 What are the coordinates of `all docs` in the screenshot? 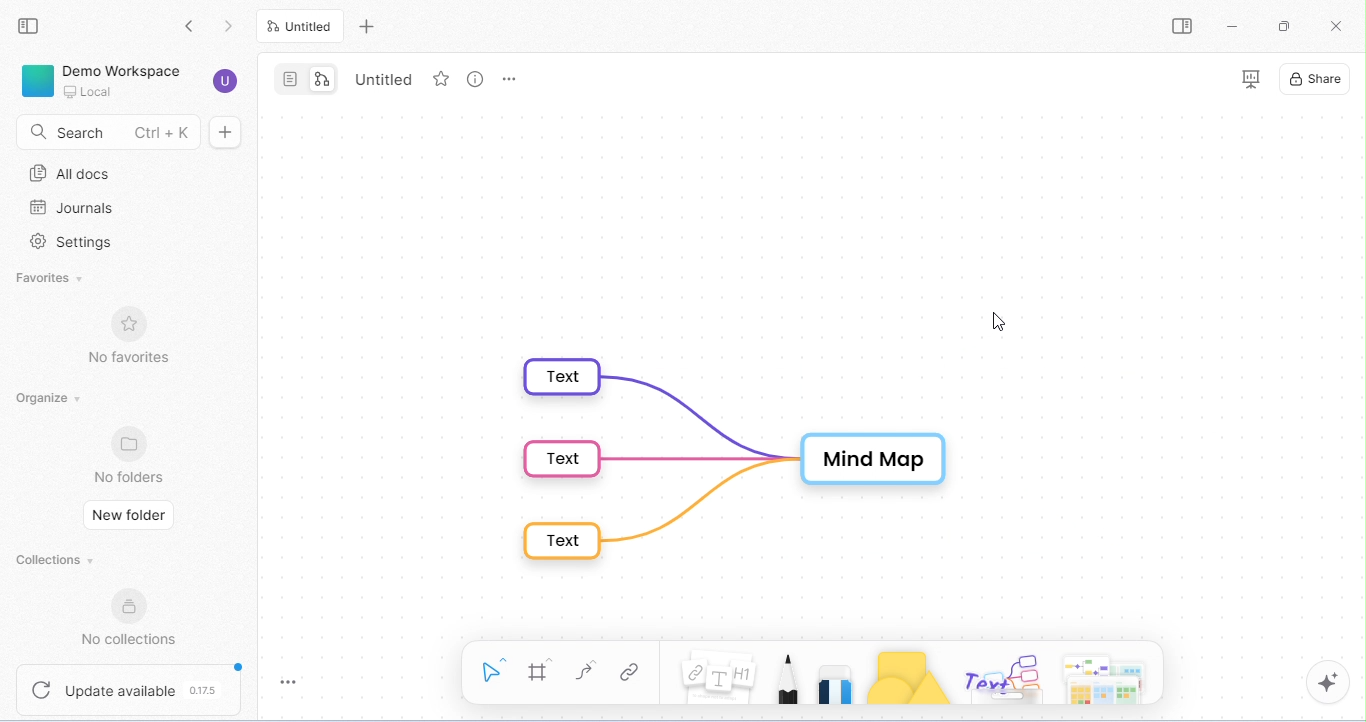 It's located at (77, 173).